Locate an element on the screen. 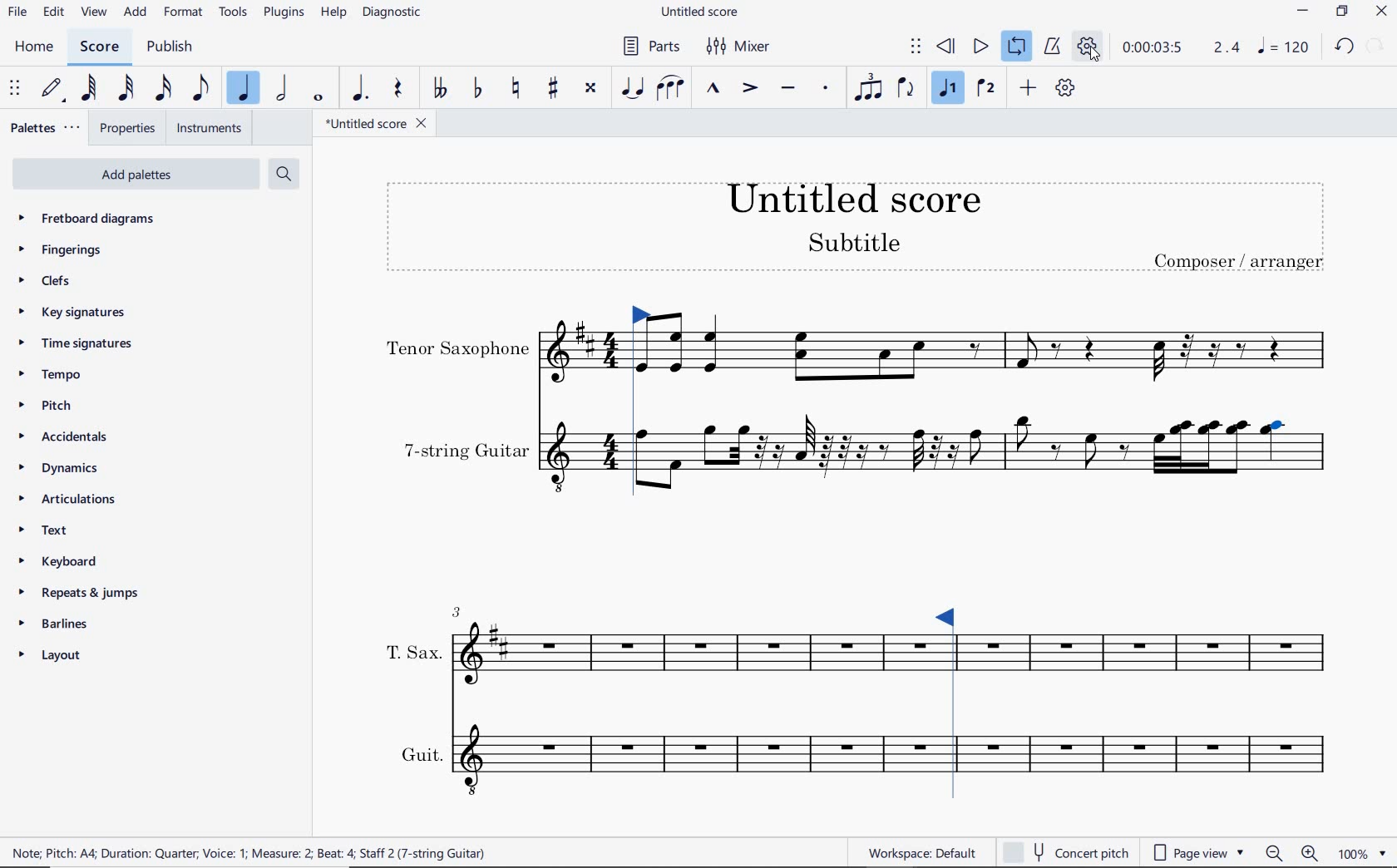 This screenshot has width=1397, height=868. DYNAMICS is located at coordinates (55, 468).